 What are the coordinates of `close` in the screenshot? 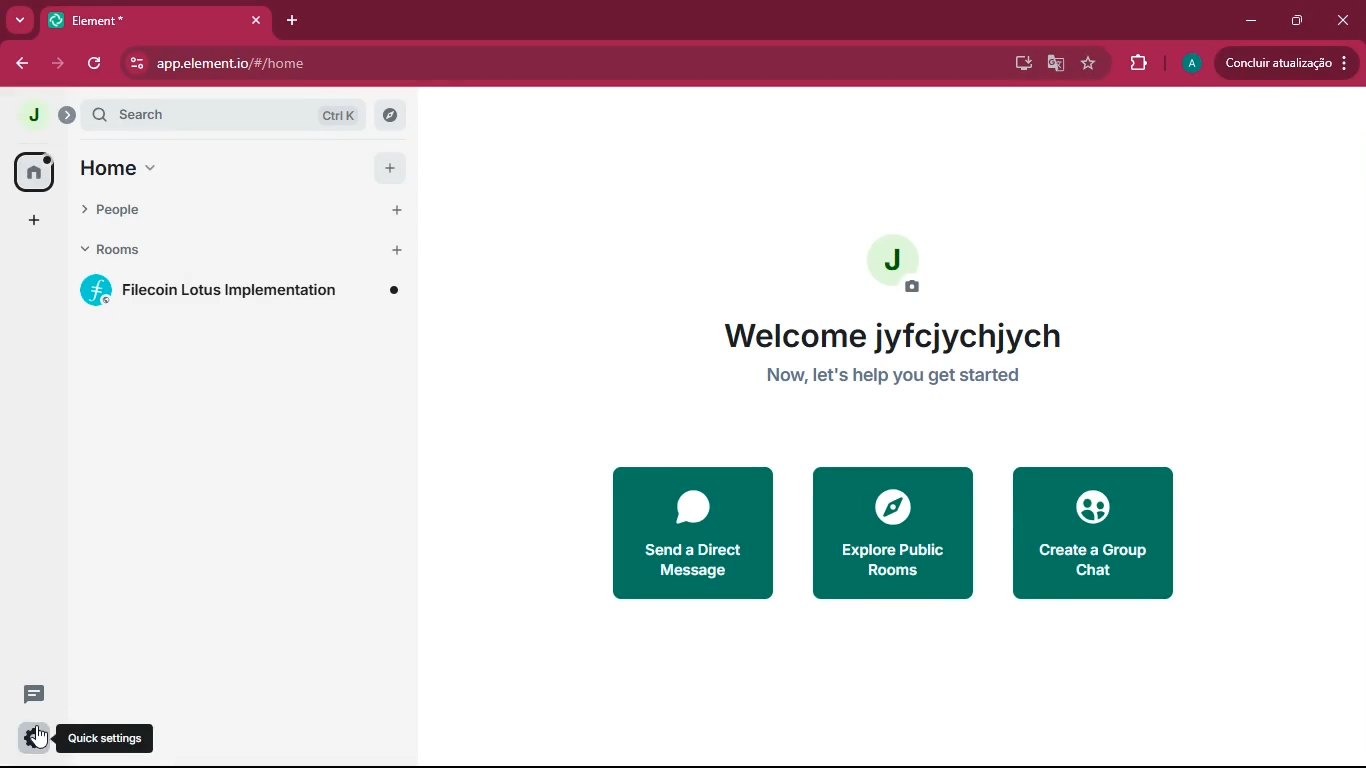 It's located at (1341, 21).